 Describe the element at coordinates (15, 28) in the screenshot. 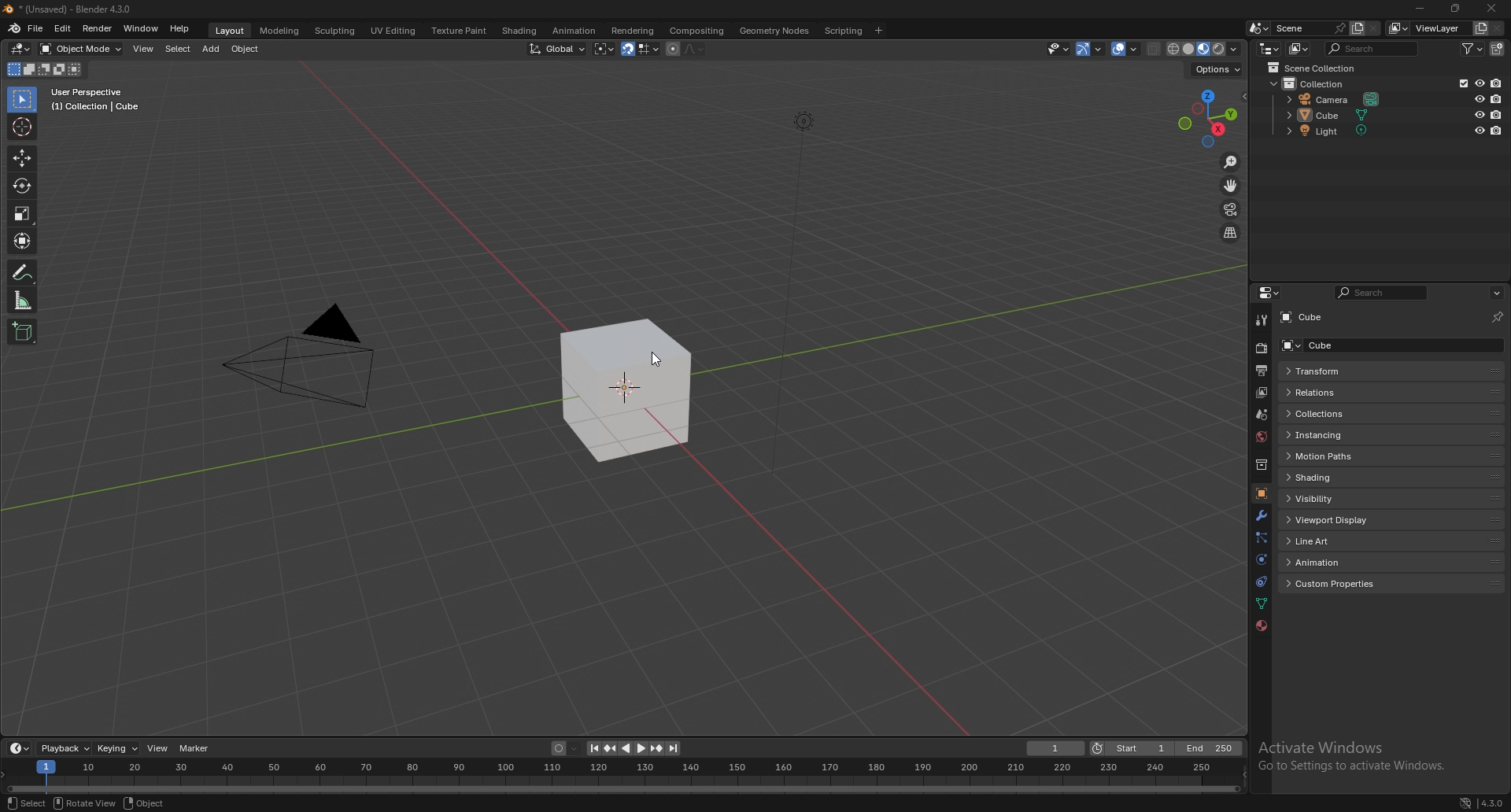

I see `blender` at that location.